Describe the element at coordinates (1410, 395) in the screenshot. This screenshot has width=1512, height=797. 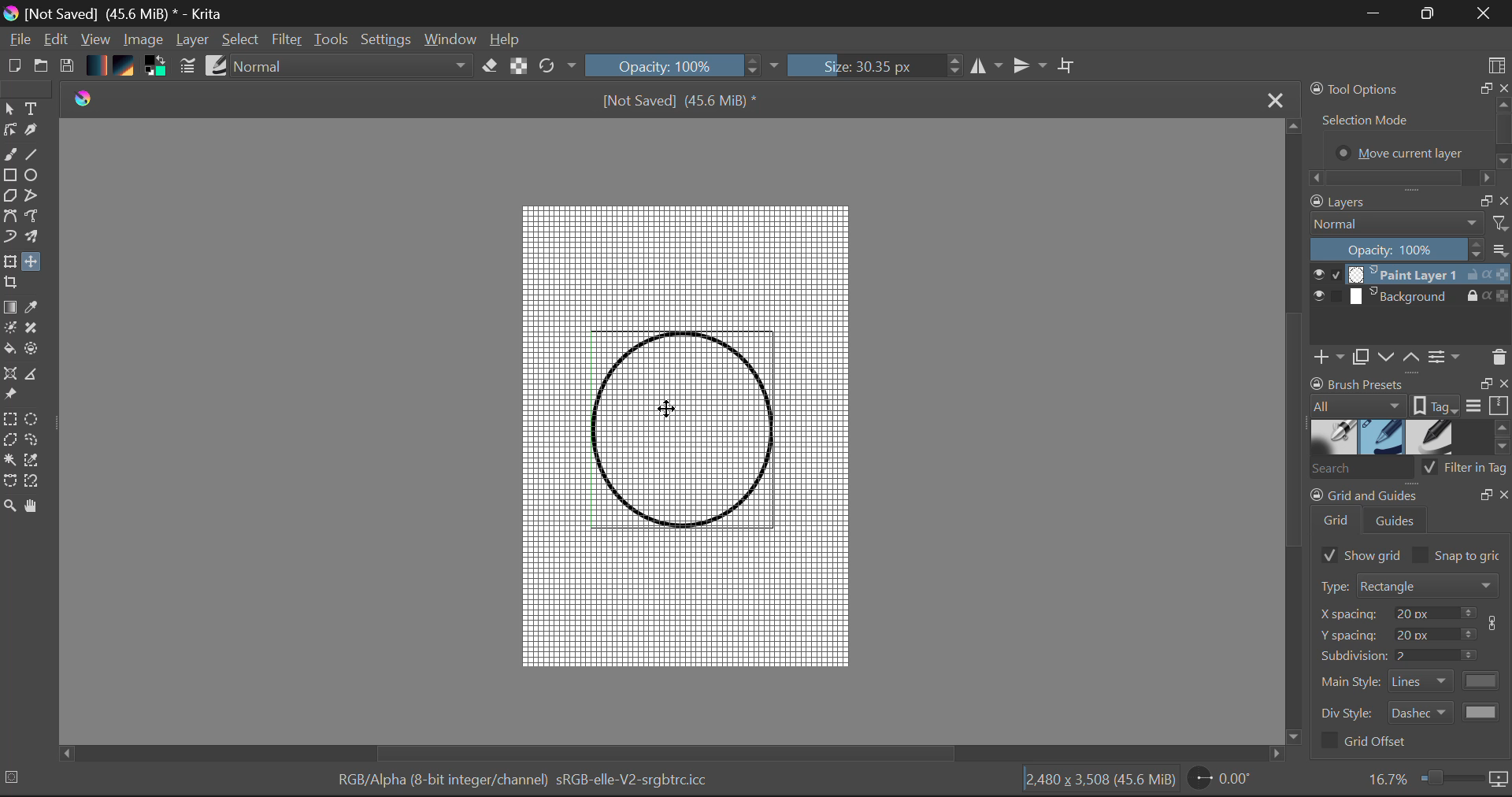
I see `Brush Presets Docket Tab` at that location.